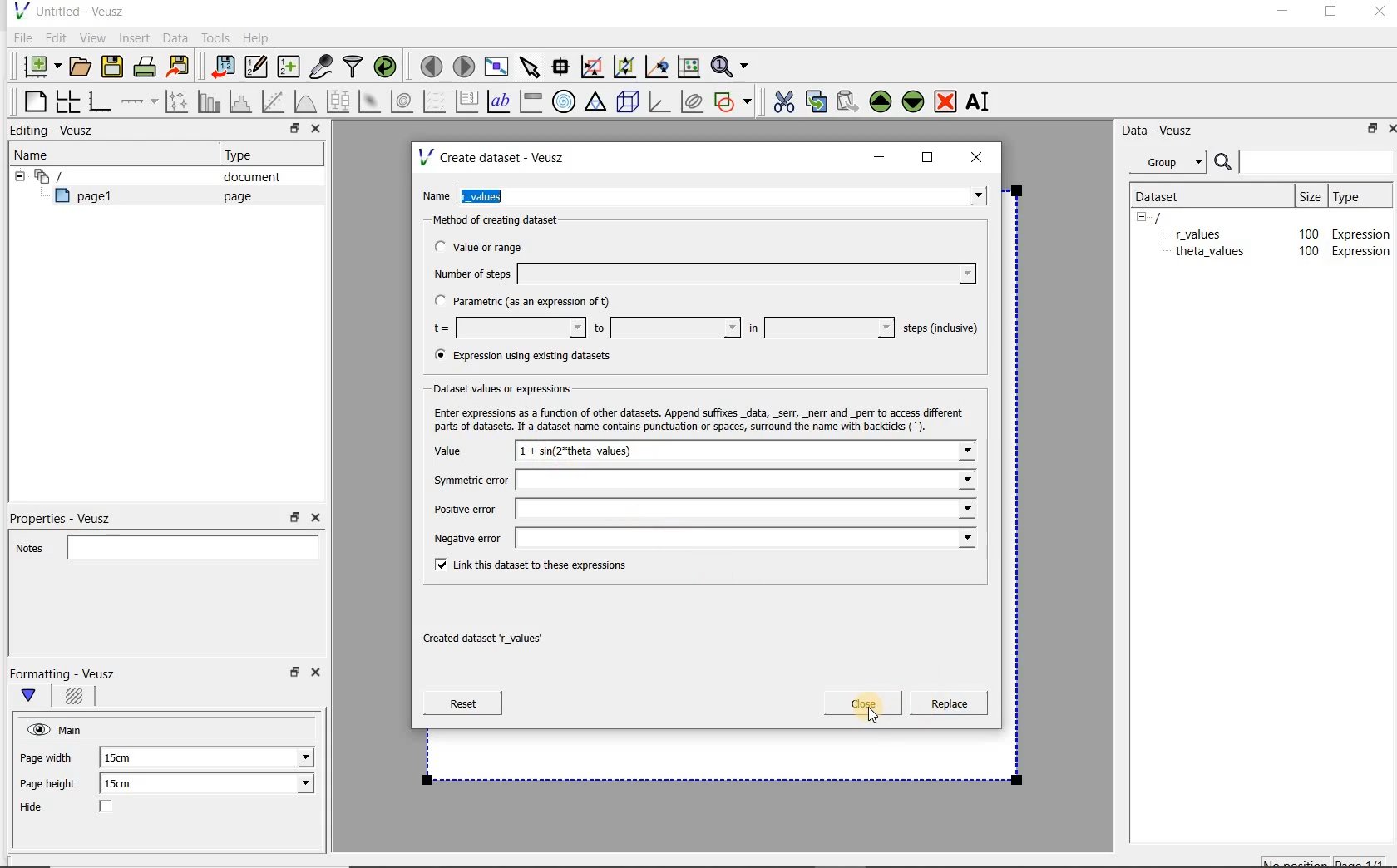 The width and height of the screenshot is (1397, 868). What do you see at coordinates (388, 67) in the screenshot?
I see `reload linked datasets` at bounding box center [388, 67].